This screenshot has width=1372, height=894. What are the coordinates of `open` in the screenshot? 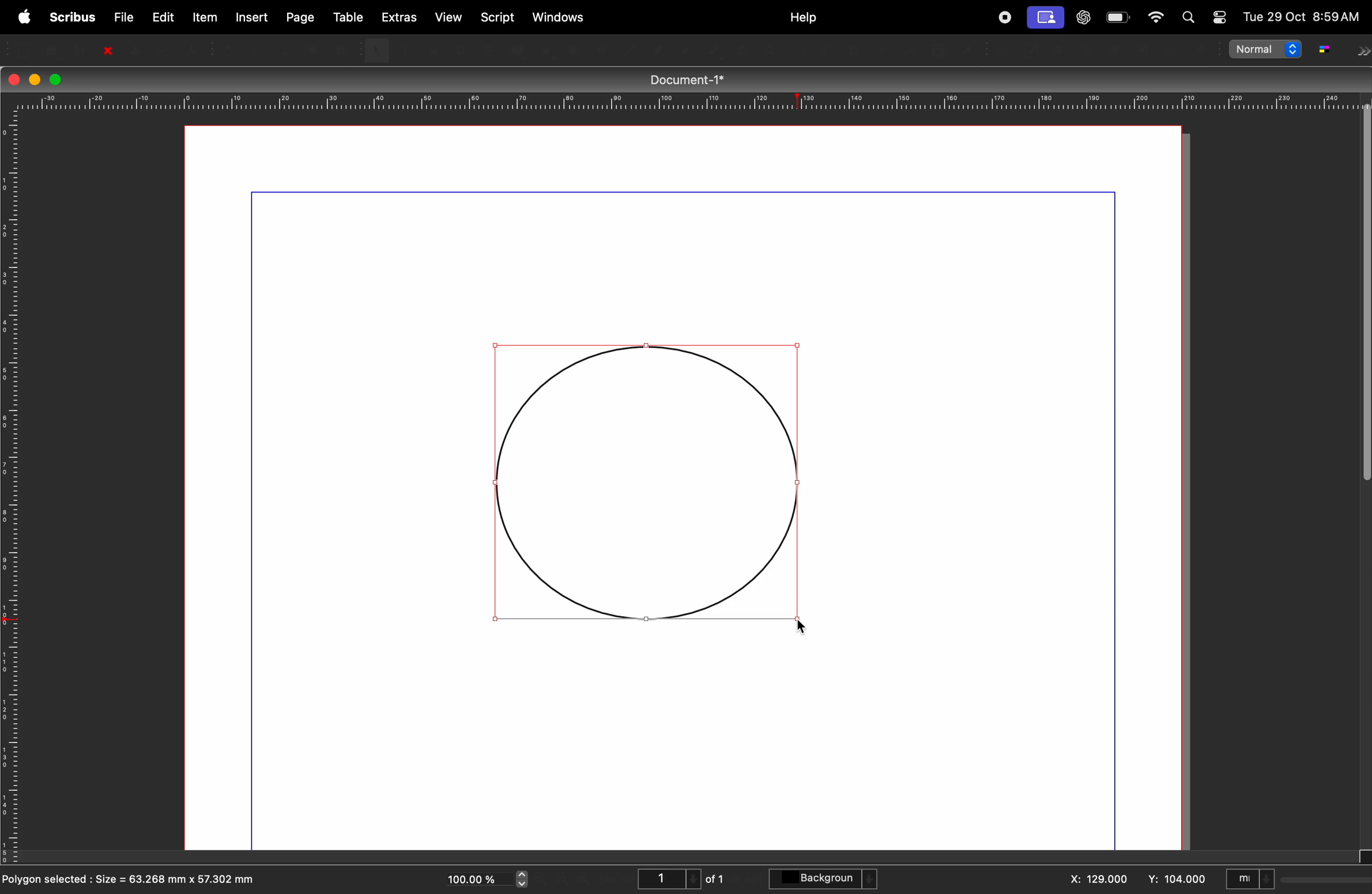 It's located at (54, 48).